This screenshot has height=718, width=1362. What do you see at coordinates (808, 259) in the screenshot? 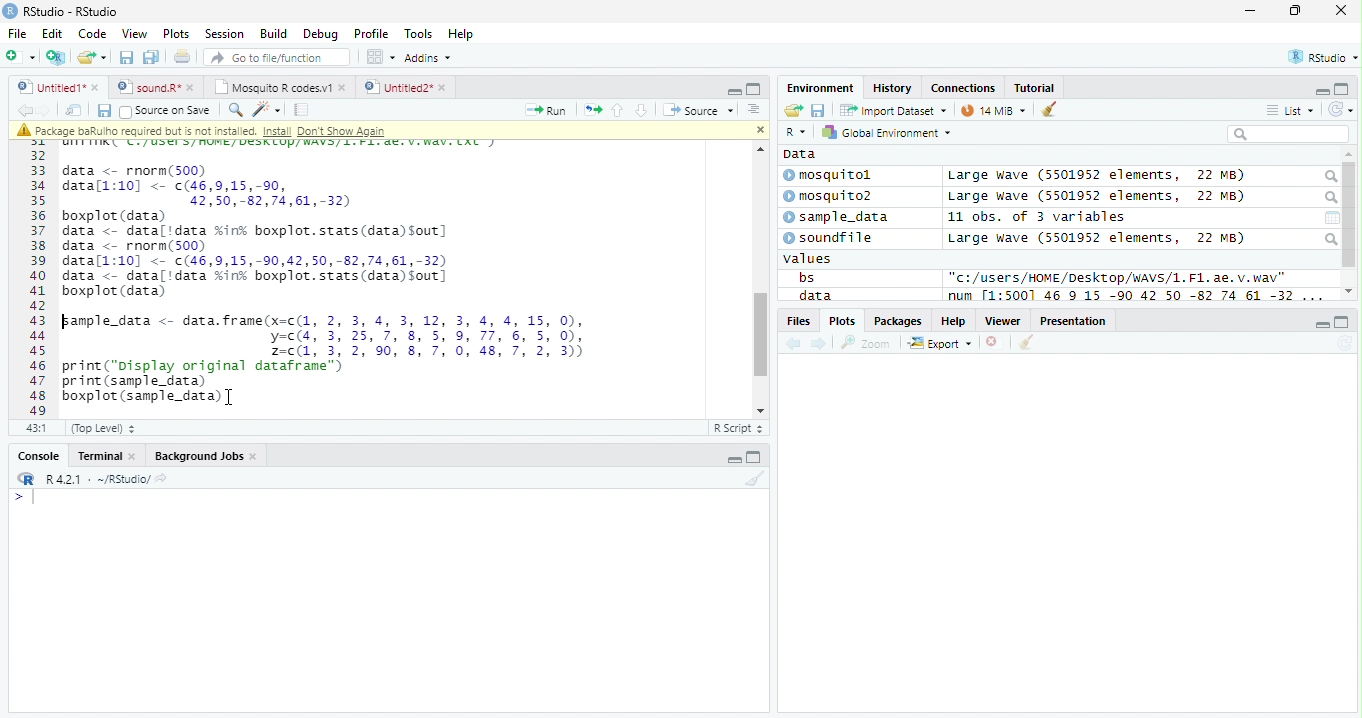
I see `values` at bounding box center [808, 259].